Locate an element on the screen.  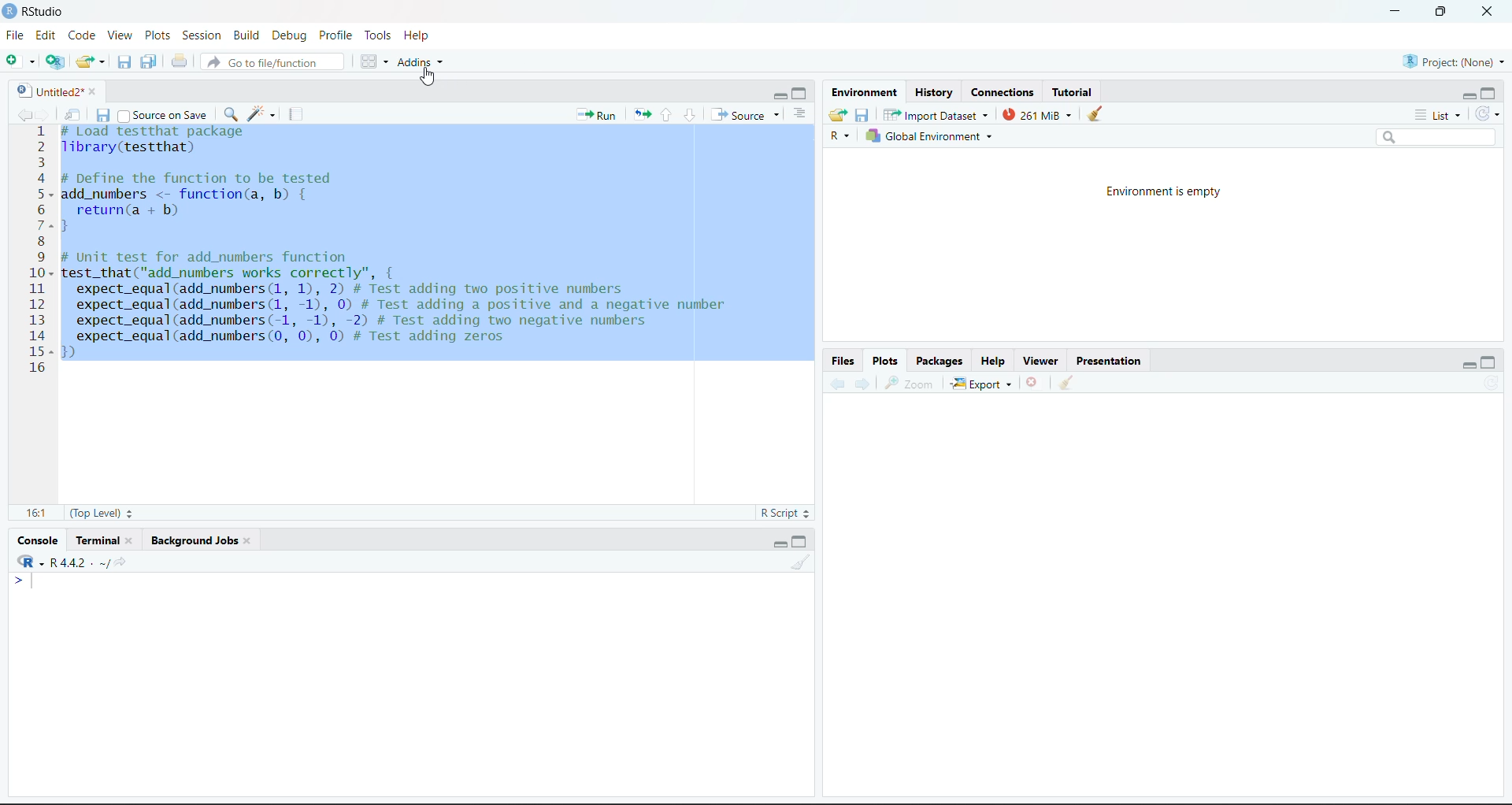
Project (None) is located at coordinates (1455, 61).